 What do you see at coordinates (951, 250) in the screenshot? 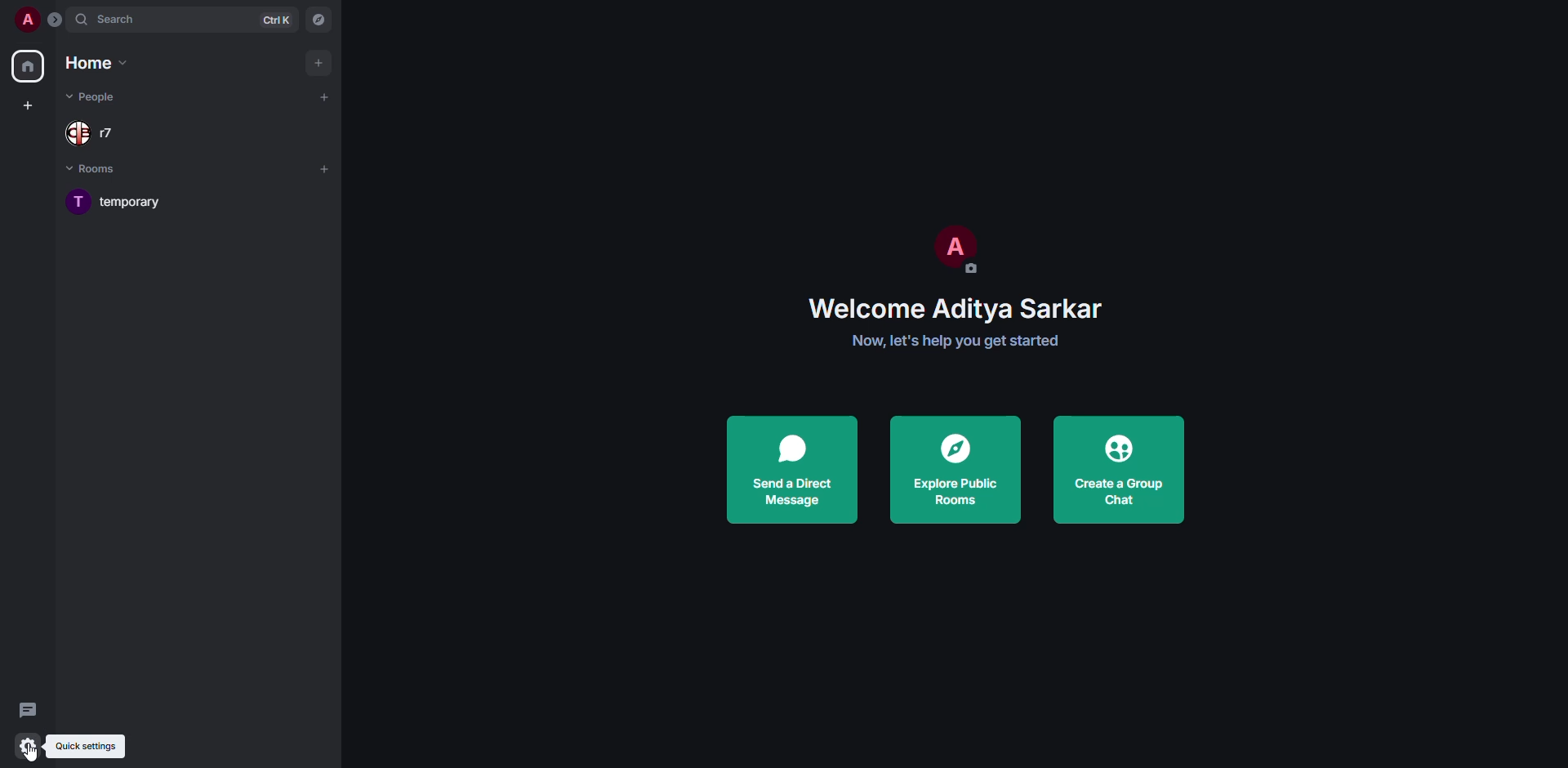
I see `profile pic` at bounding box center [951, 250].